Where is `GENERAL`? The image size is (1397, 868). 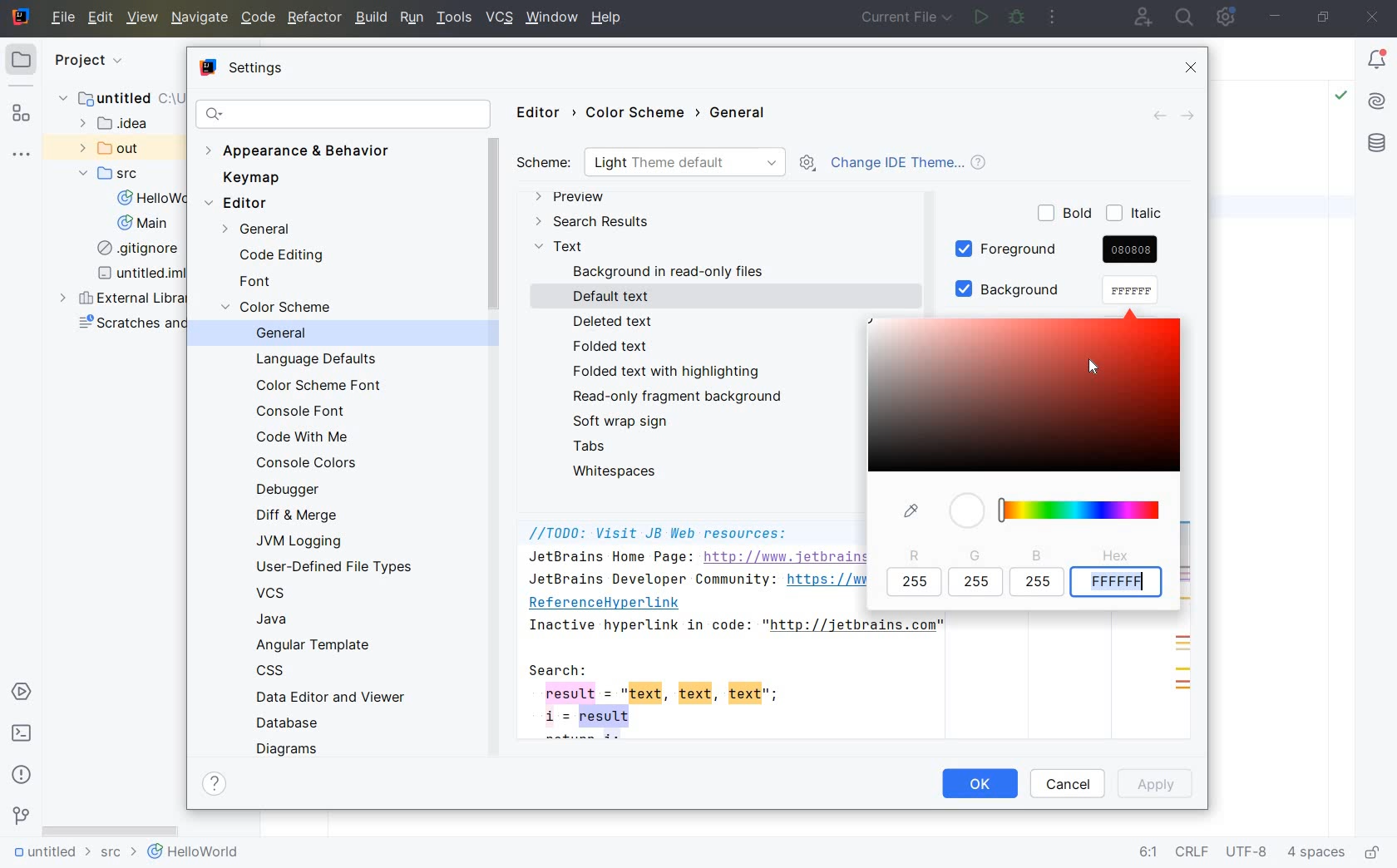 GENERAL is located at coordinates (743, 115).